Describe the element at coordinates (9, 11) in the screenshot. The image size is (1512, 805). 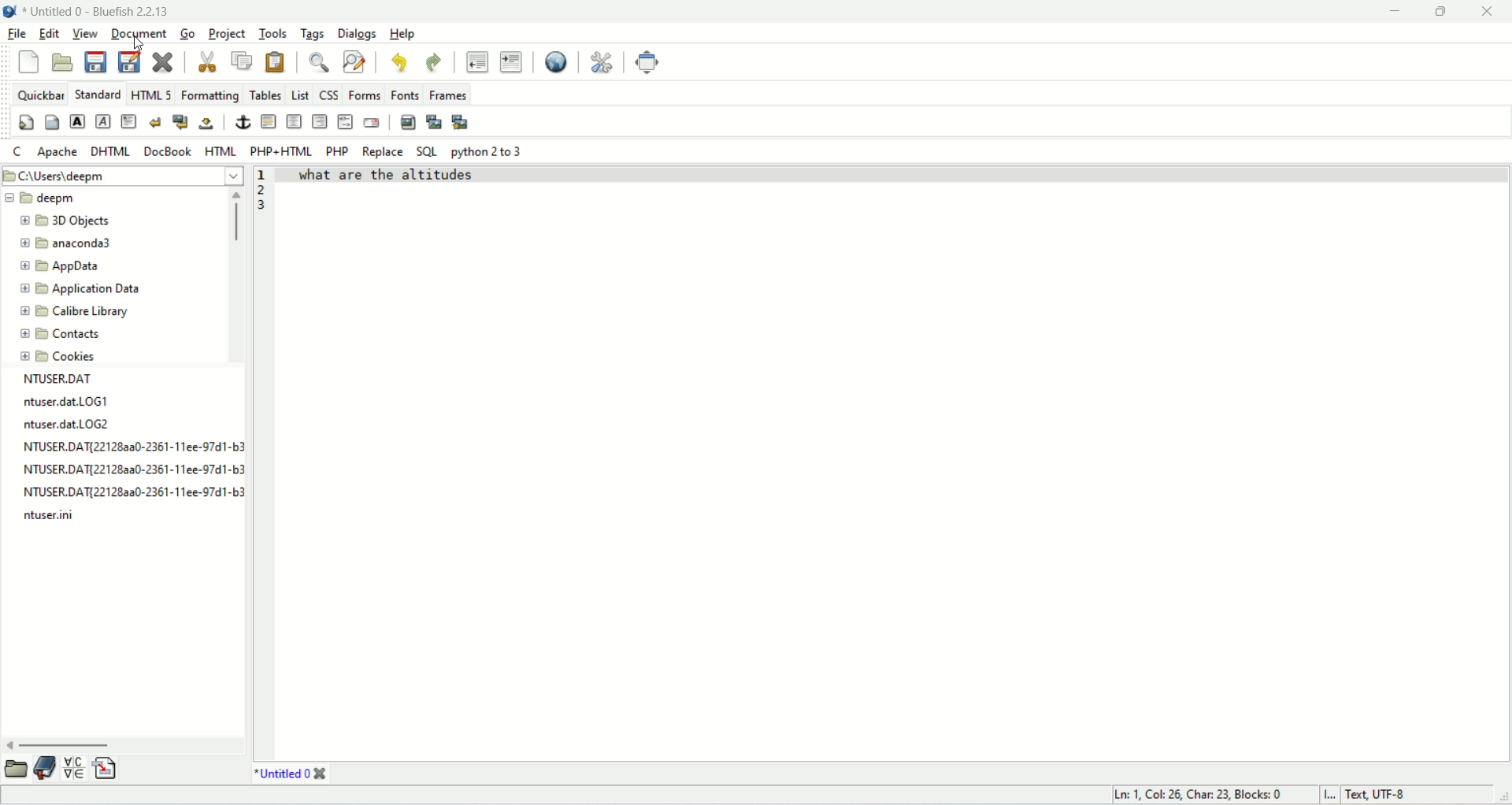
I see `logo` at that location.